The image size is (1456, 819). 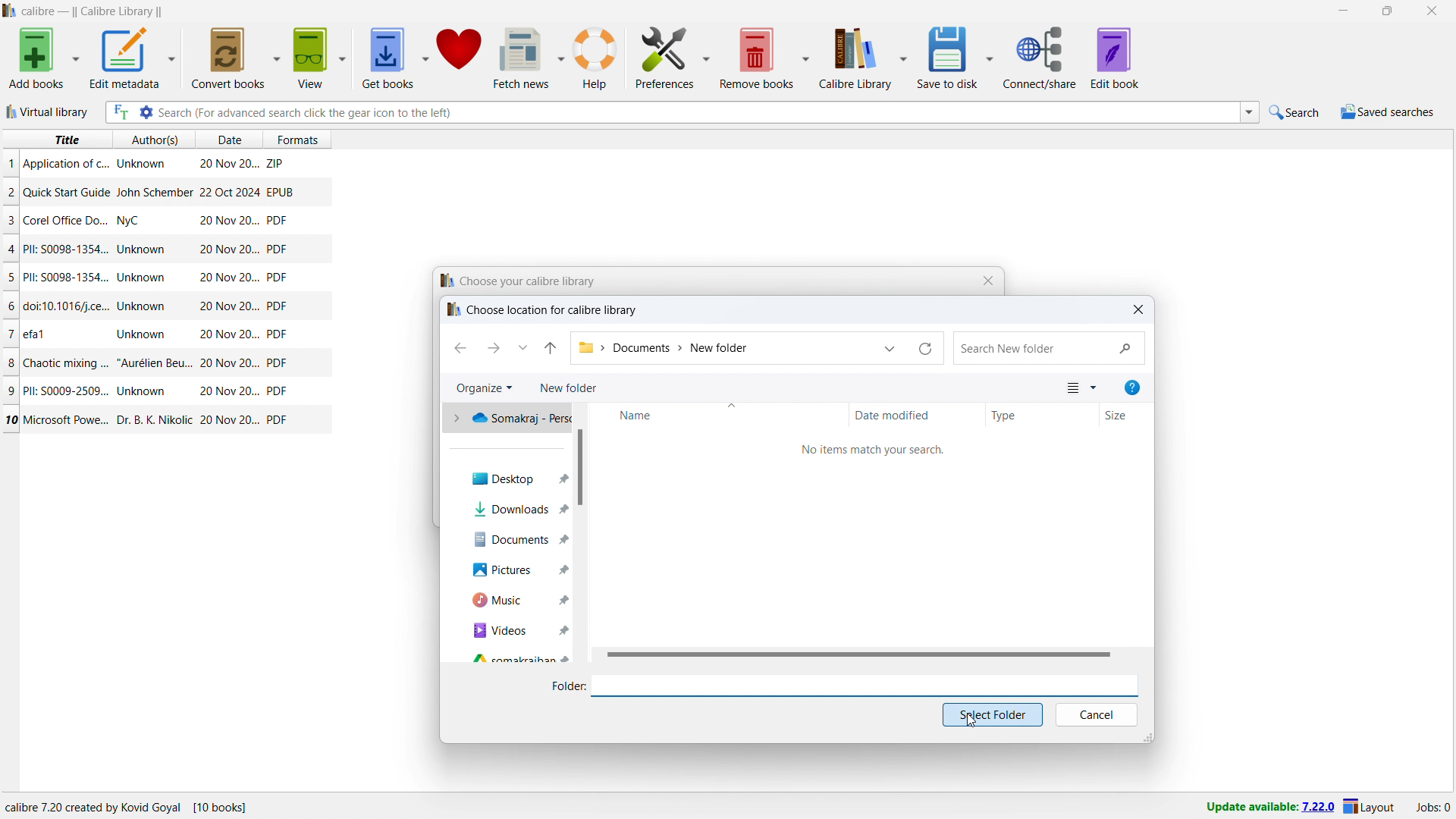 What do you see at coordinates (93, 12) in the screenshot?
I see `title` at bounding box center [93, 12].